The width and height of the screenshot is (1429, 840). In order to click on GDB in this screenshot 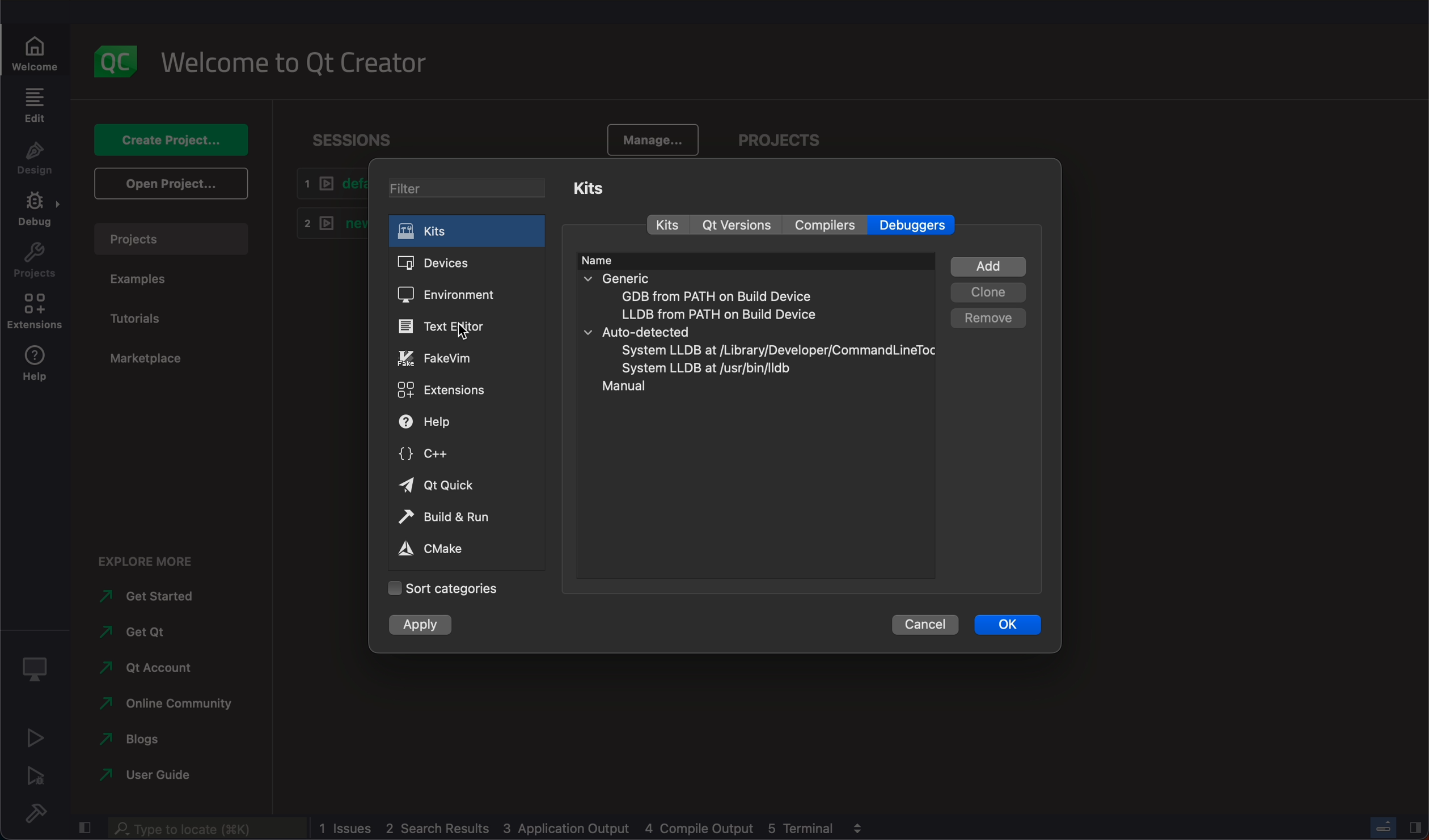, I will do `click(716, 296)`.